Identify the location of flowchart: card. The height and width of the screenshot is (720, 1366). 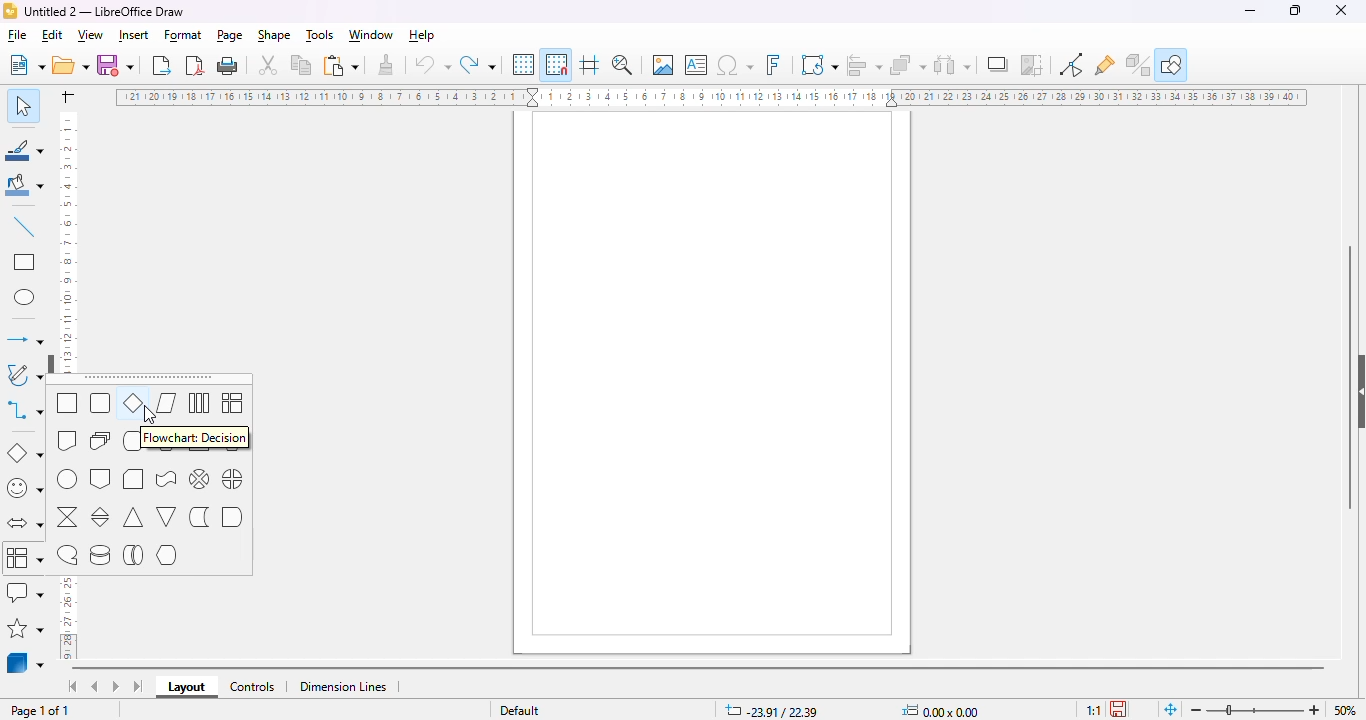
(134, 480).